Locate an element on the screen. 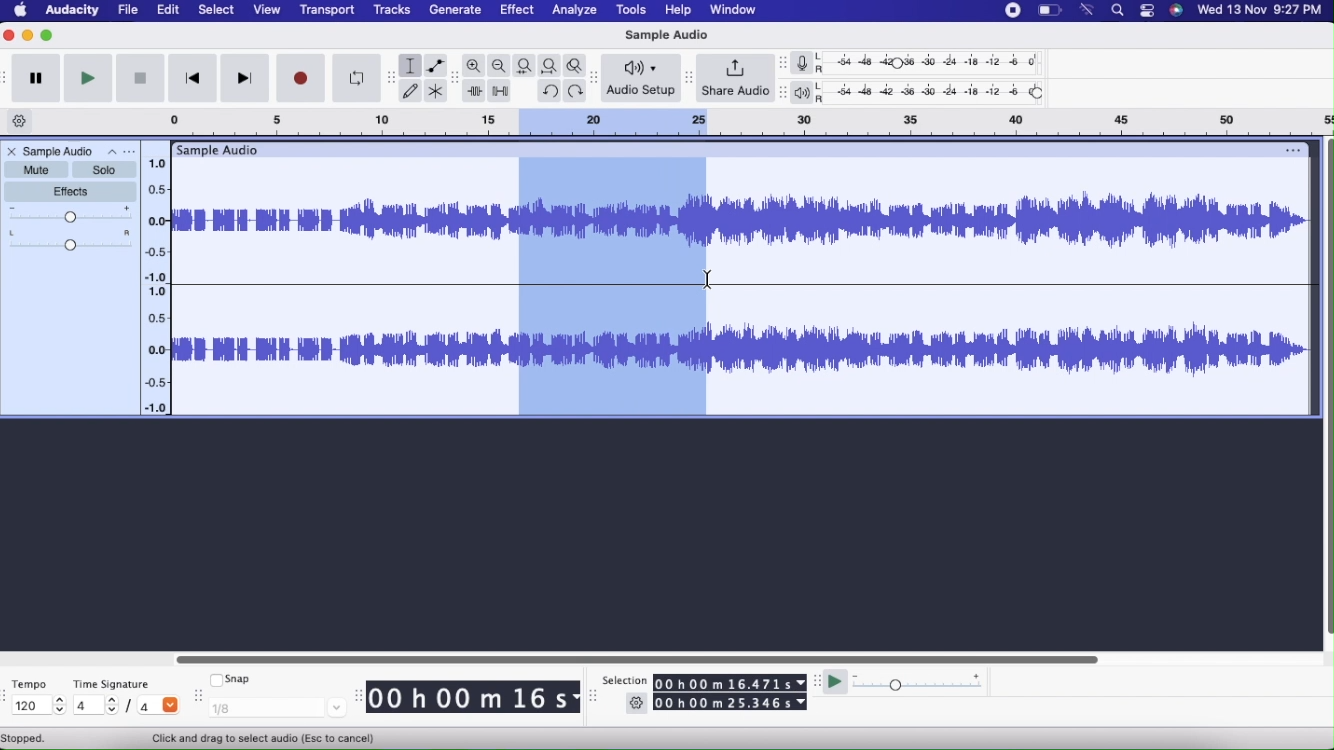 This screenshot has height=750, width=1334. Selection is located at coordinates (615, 287).